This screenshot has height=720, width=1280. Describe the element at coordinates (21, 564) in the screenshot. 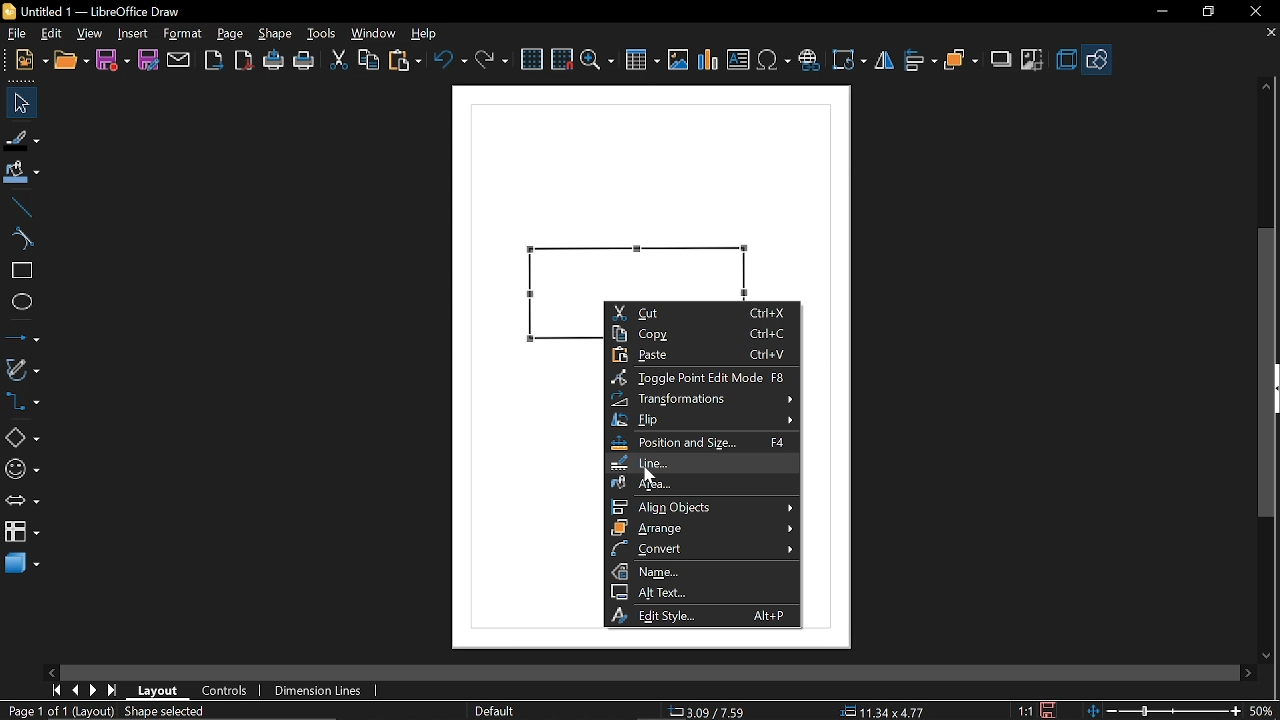

I see `3d shapes` at that location.